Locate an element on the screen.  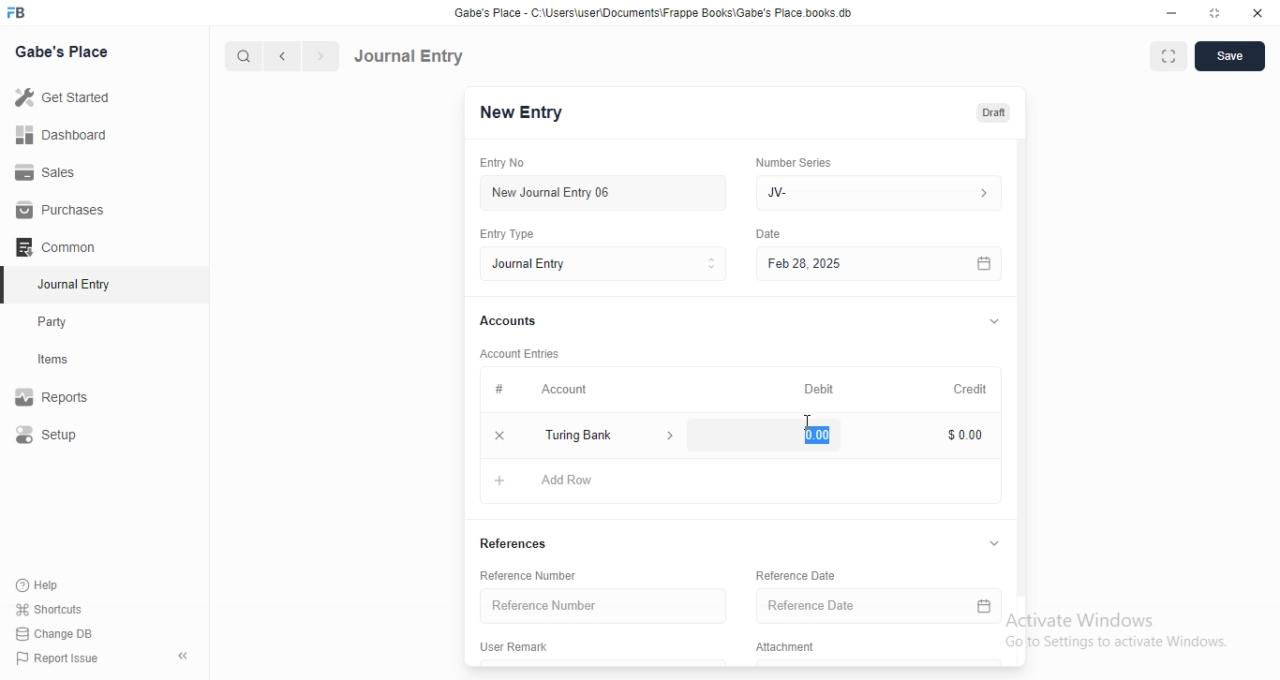
) Report Issue is located at coordinates (59, 659).